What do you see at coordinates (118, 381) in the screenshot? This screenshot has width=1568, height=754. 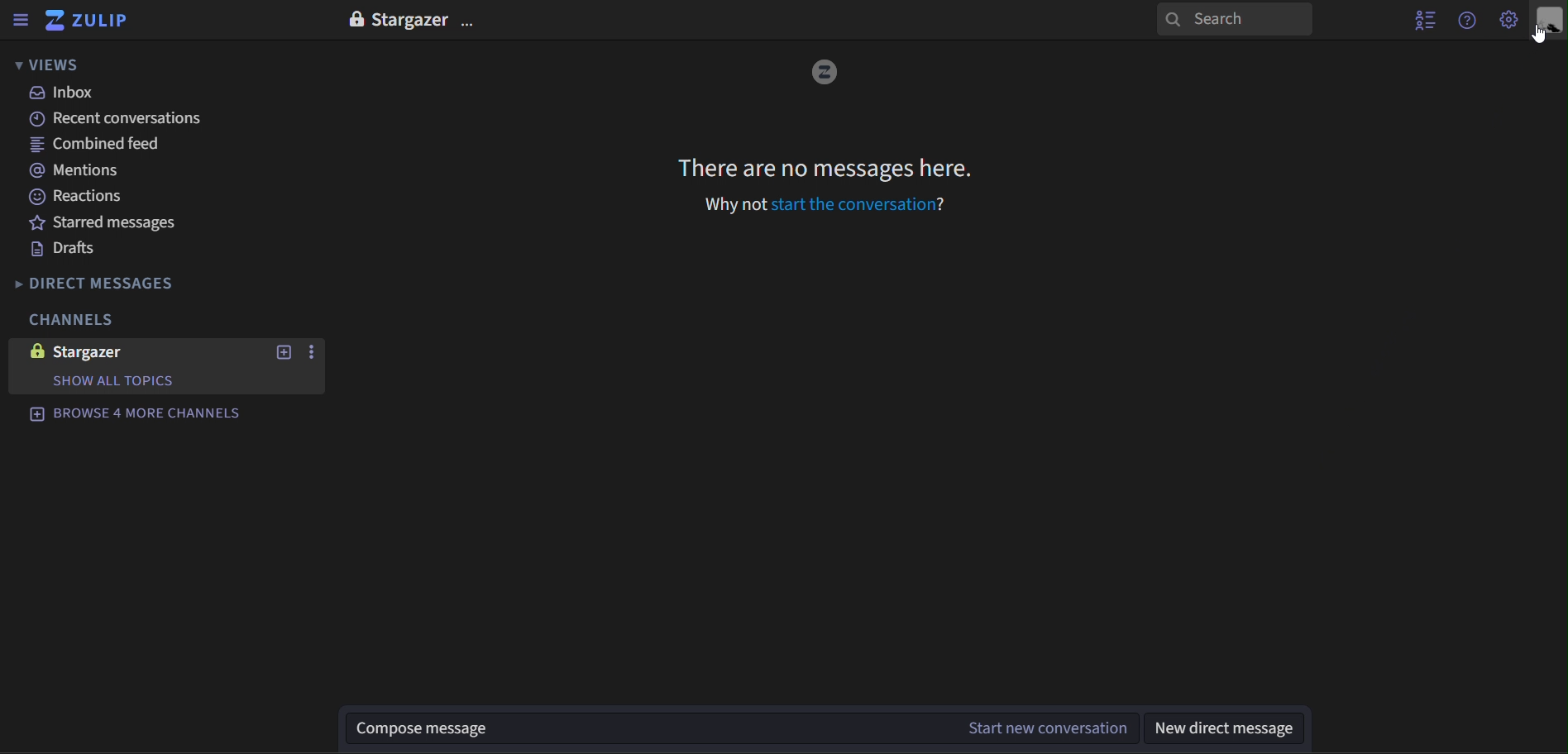 I see `show all topics` at bounding box center [118, 381].